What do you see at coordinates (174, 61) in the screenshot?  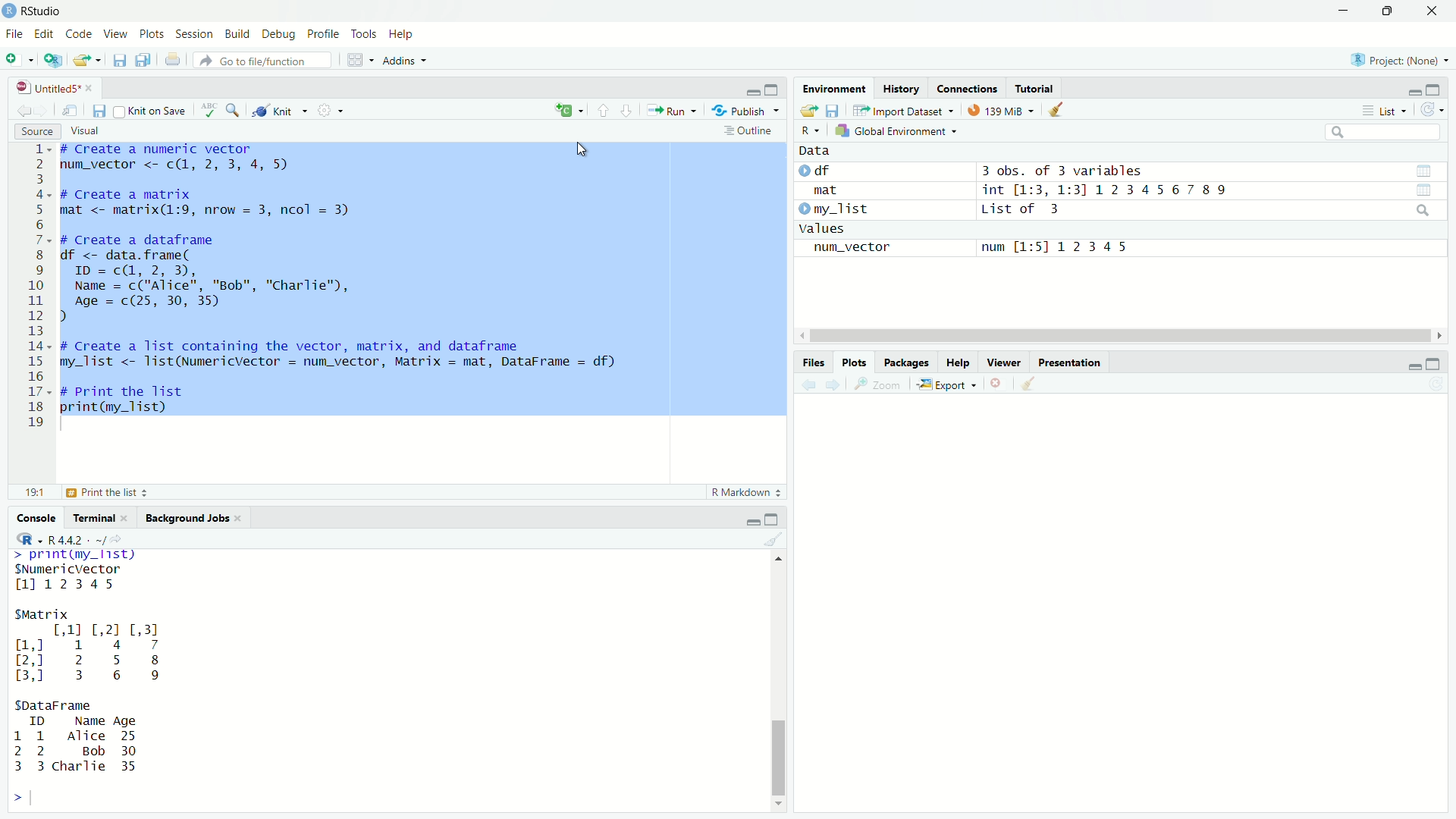 I see `print` at bounding box center [174, 61].